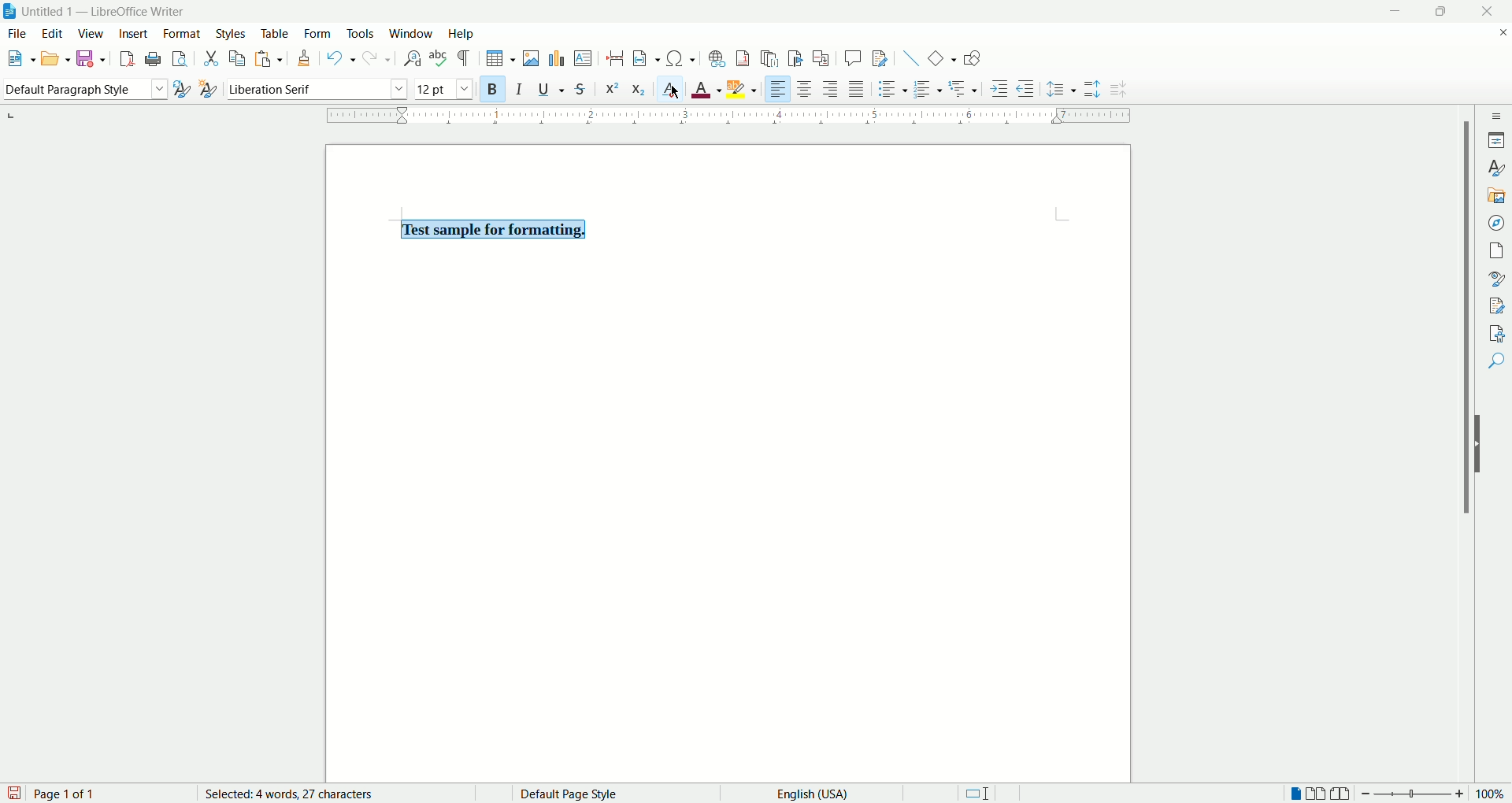  Describe the element at coordinates (209, 58) in the screenshot. I see `cut` at that location.